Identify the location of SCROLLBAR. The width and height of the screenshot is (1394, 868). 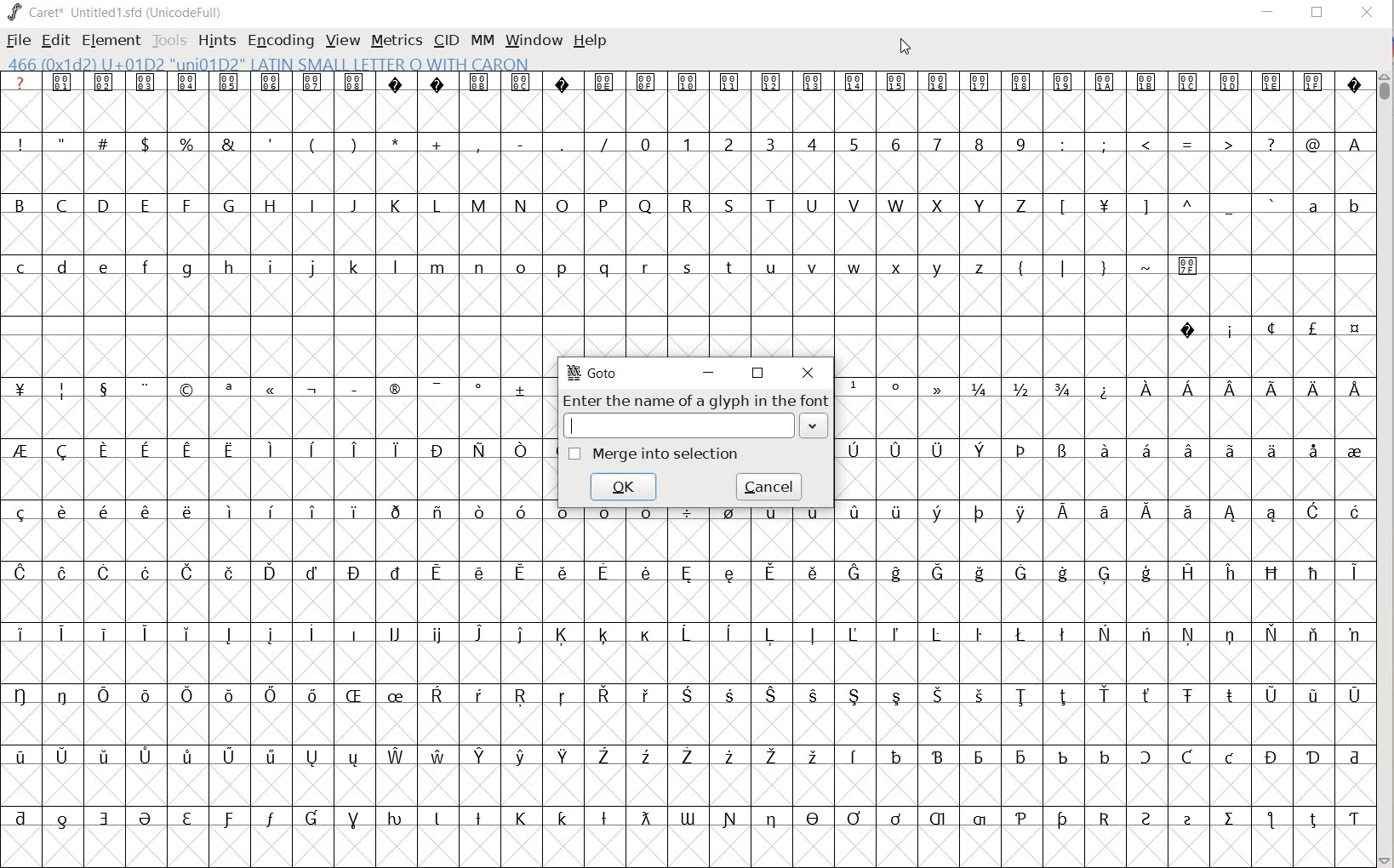
(1385, 467).